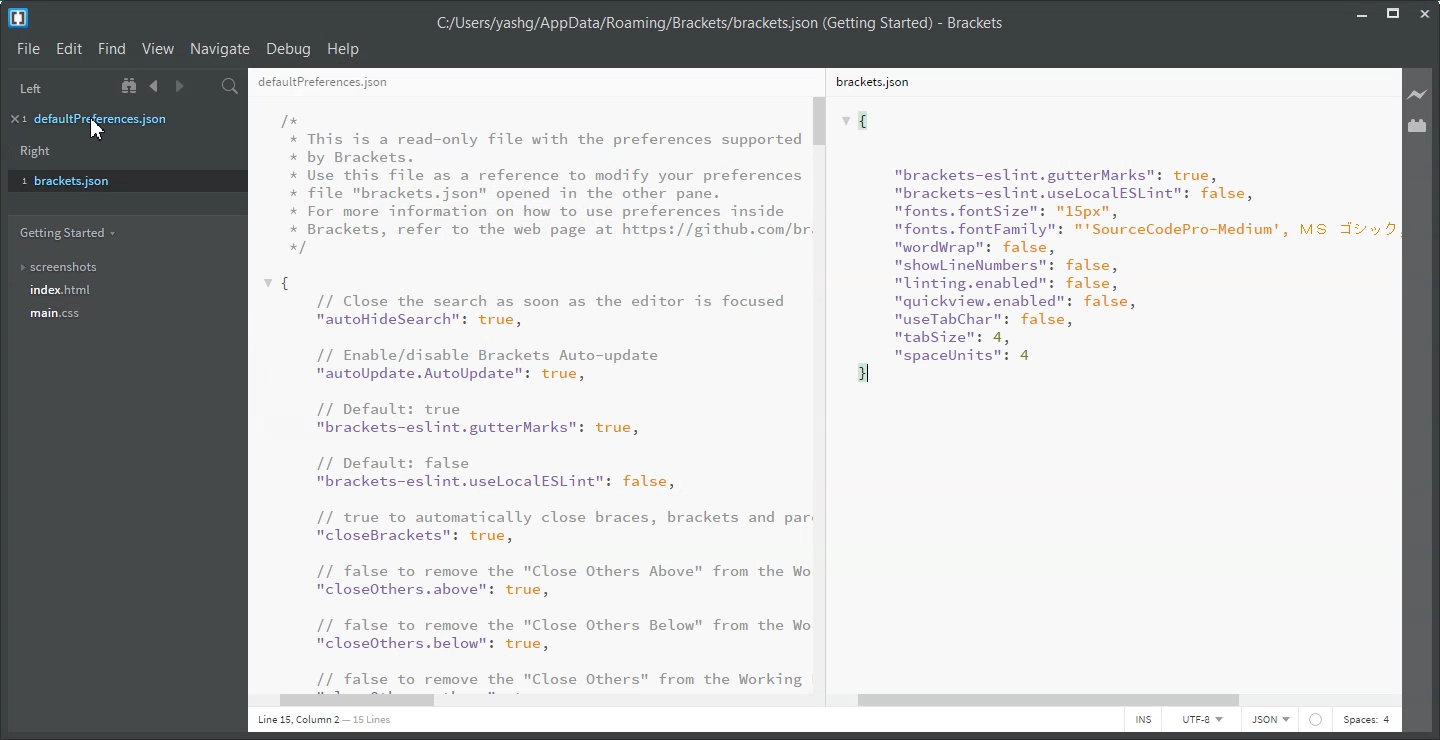 This screenshot has height=740, width=1440. I want to click on Text, so click(324, 720).